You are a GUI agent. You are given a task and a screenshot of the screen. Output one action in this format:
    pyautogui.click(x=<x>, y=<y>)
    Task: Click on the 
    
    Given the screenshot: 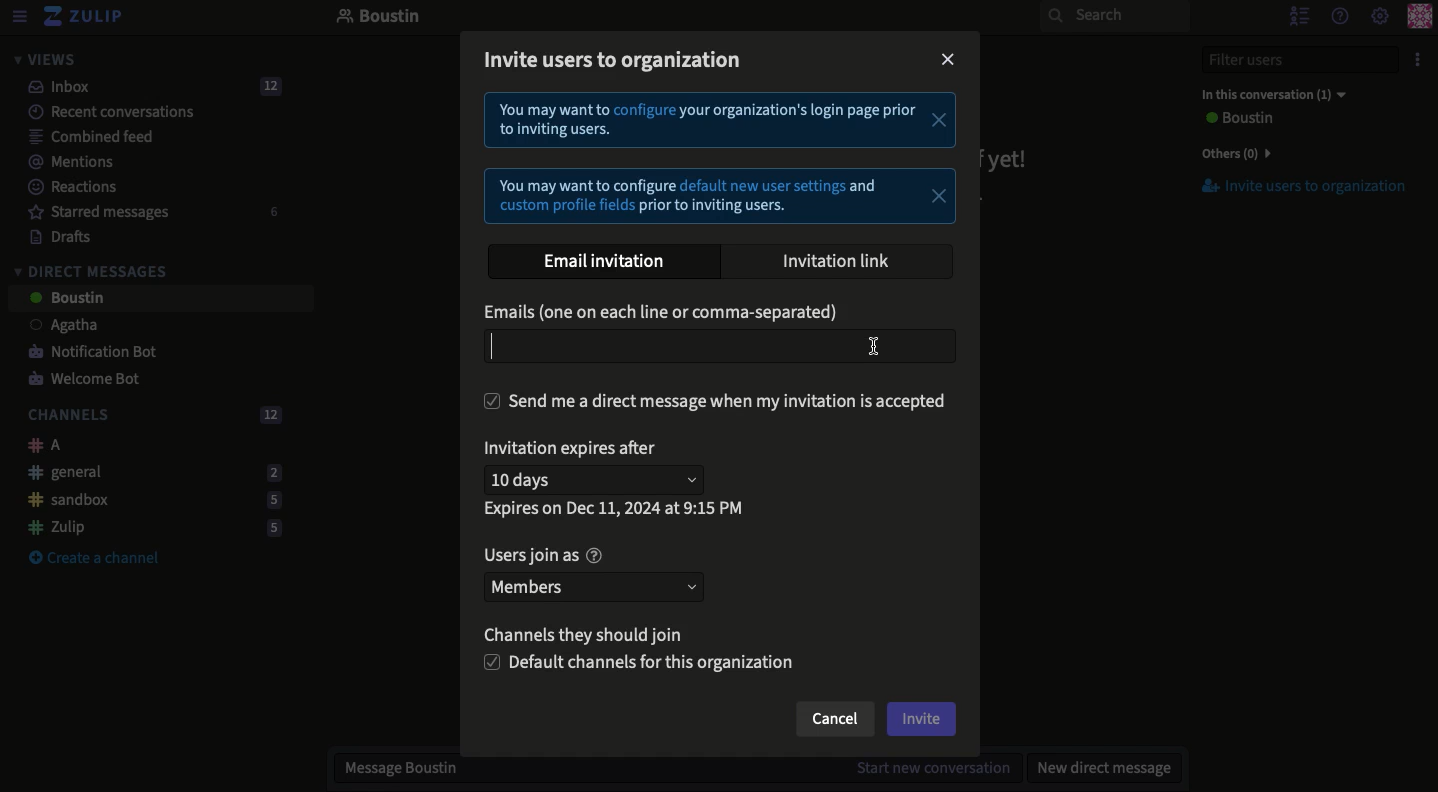 What is the action you would take?
    pyautogui.click(x=946, y=60)
    